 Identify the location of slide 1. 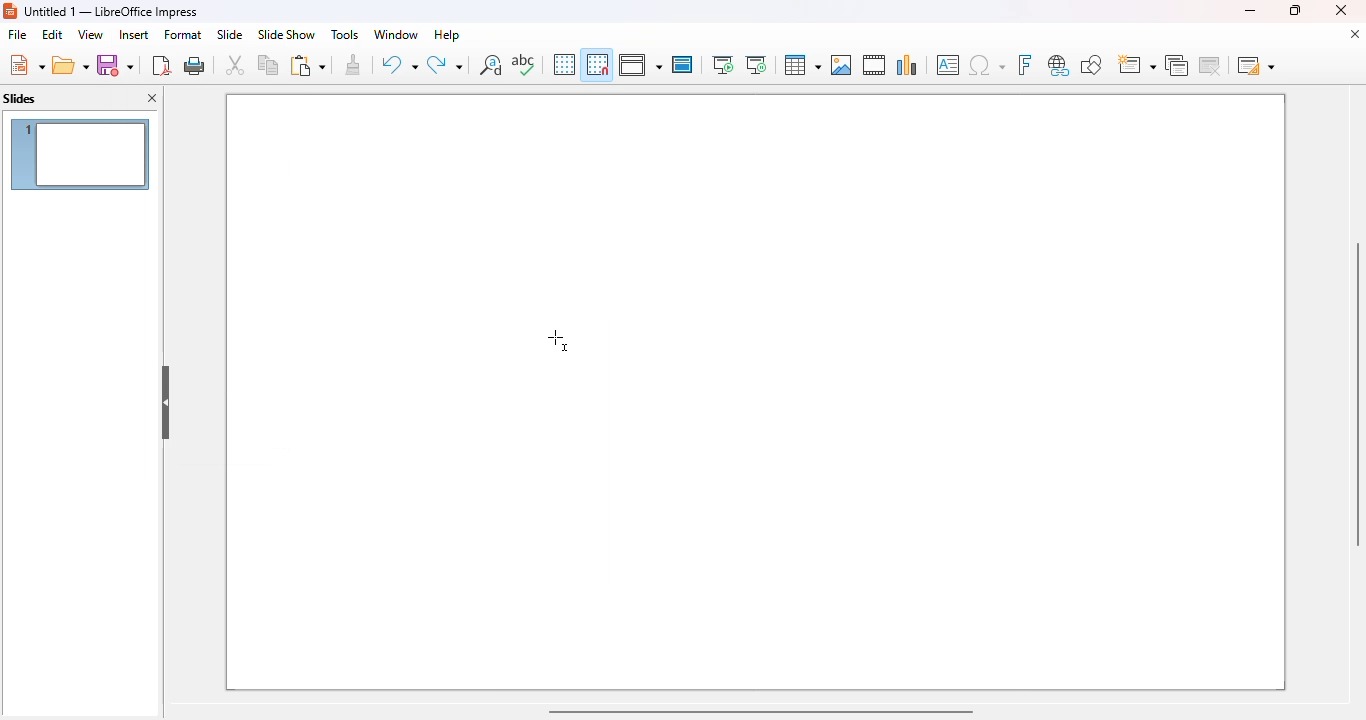
(80, 154).